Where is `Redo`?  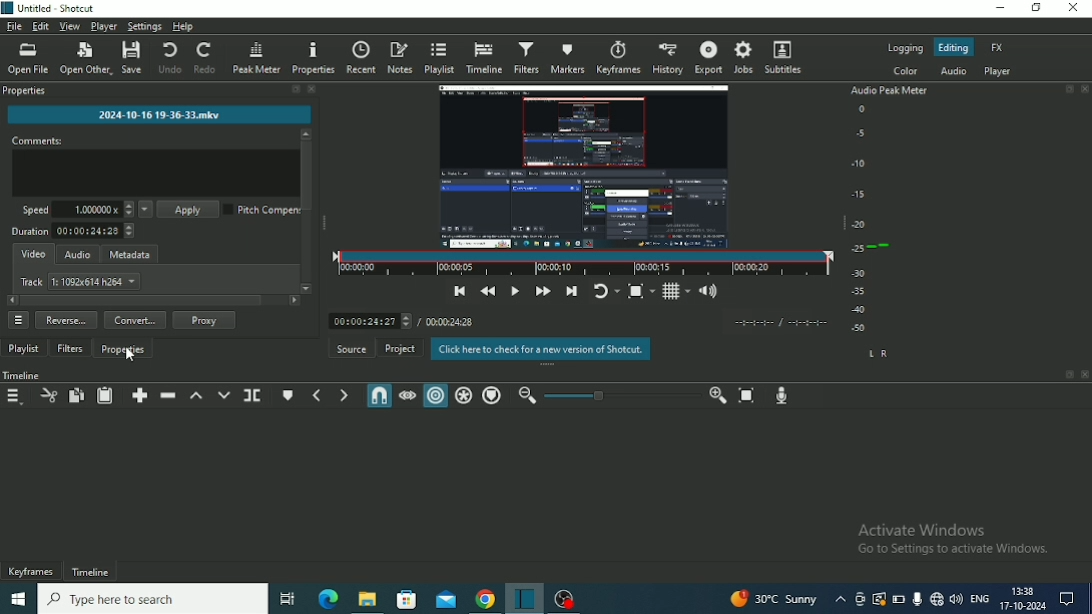 Redo is located at coordinates (206, 57).